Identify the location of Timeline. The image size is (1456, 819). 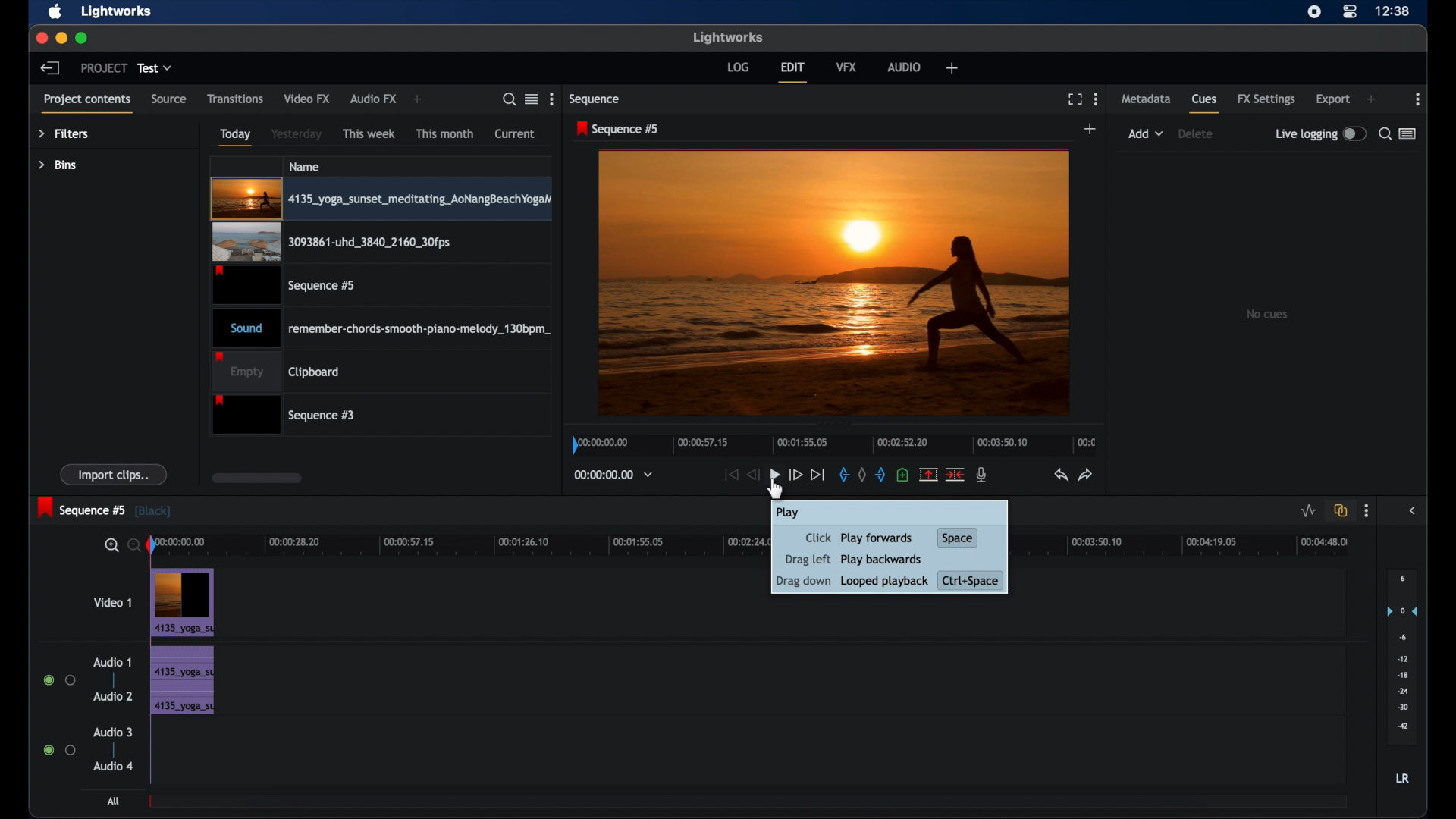
(1243, 544).